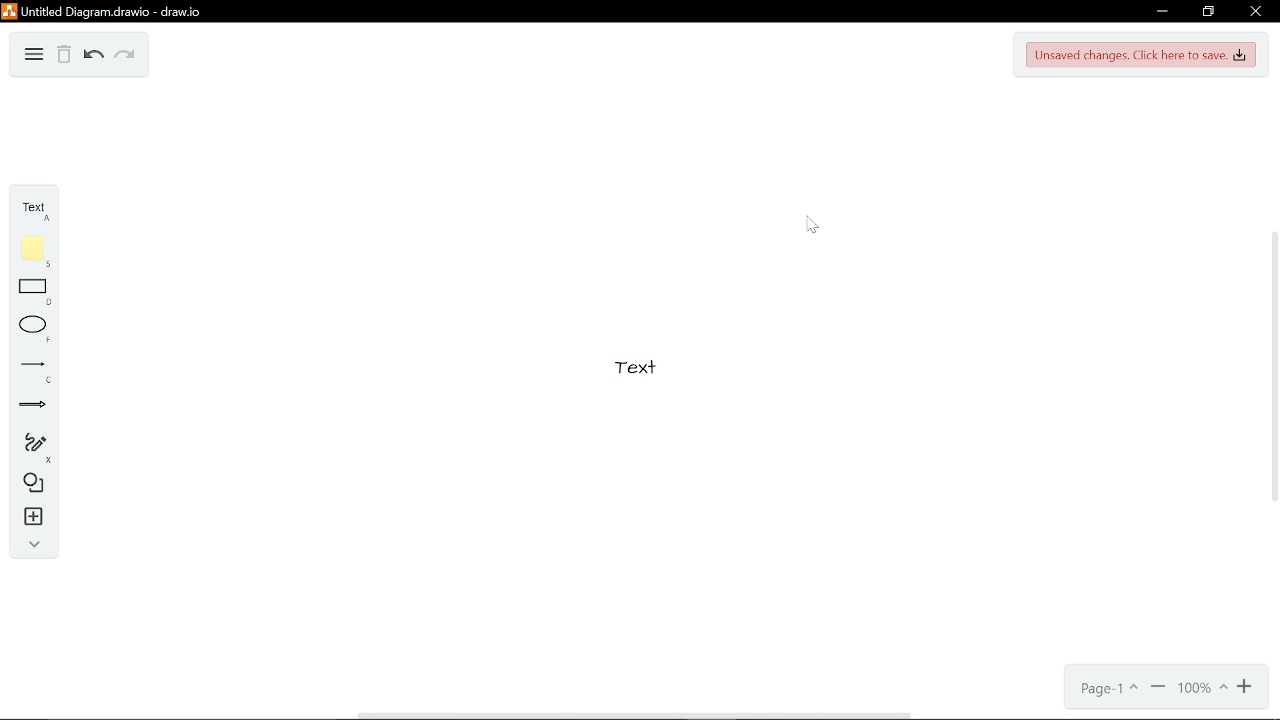 This screenshot has width=1280, height=720. I want to click on Delete, so click(64, 56).